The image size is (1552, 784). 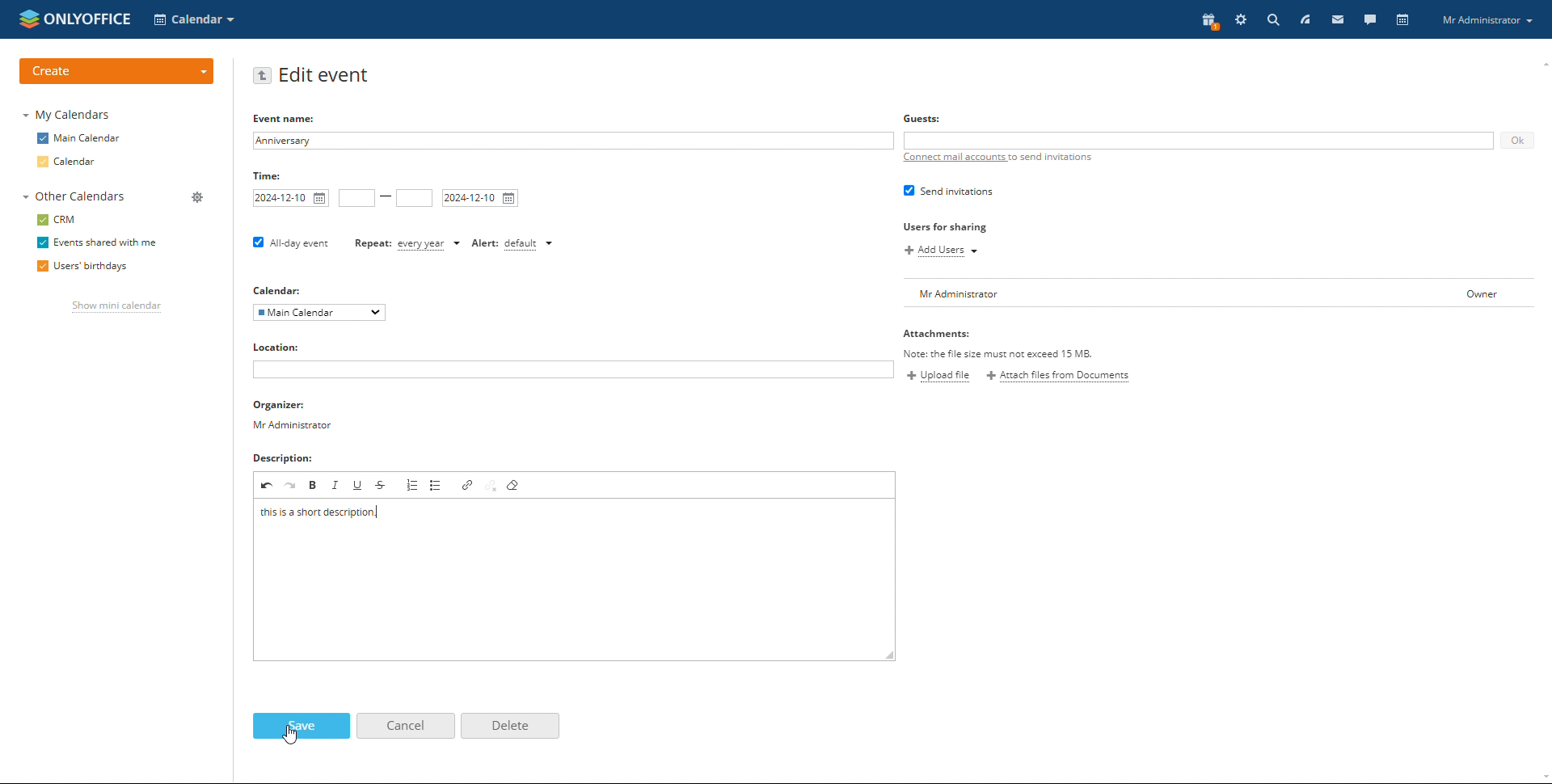 I want to click on settings, so click(x=1242, y=19).